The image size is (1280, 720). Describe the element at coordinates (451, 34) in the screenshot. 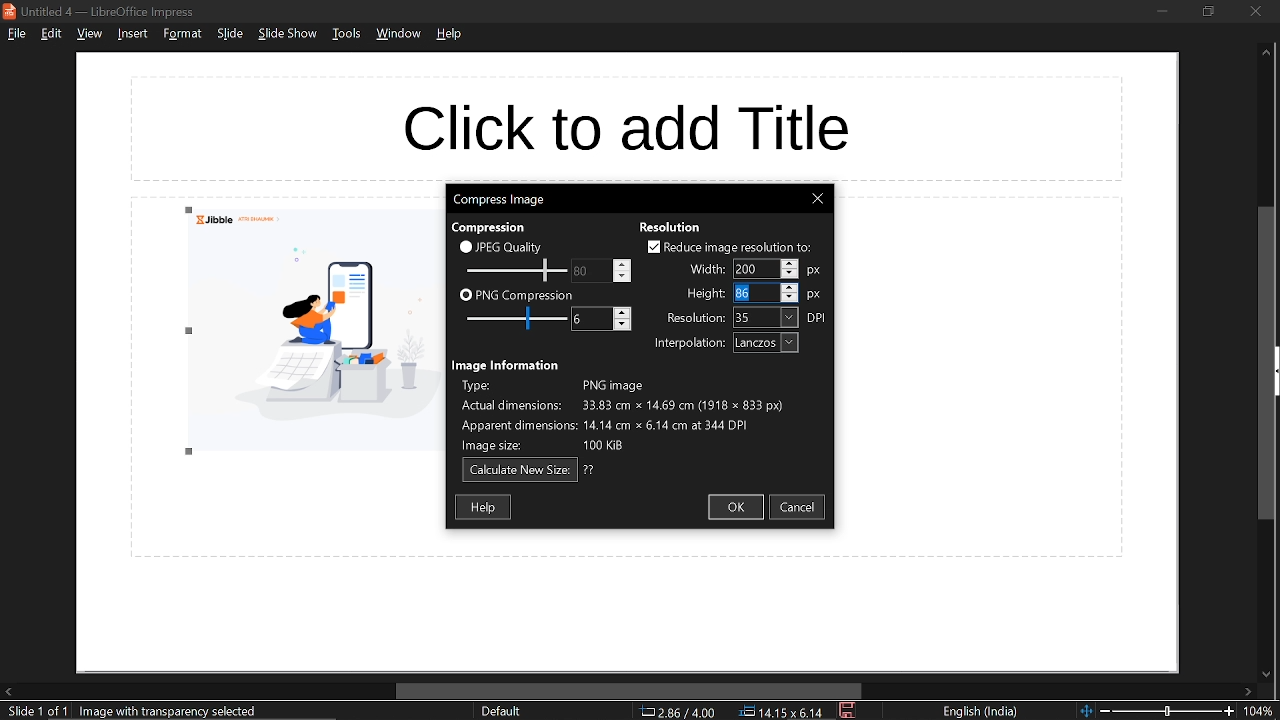

I see `help` at that location.